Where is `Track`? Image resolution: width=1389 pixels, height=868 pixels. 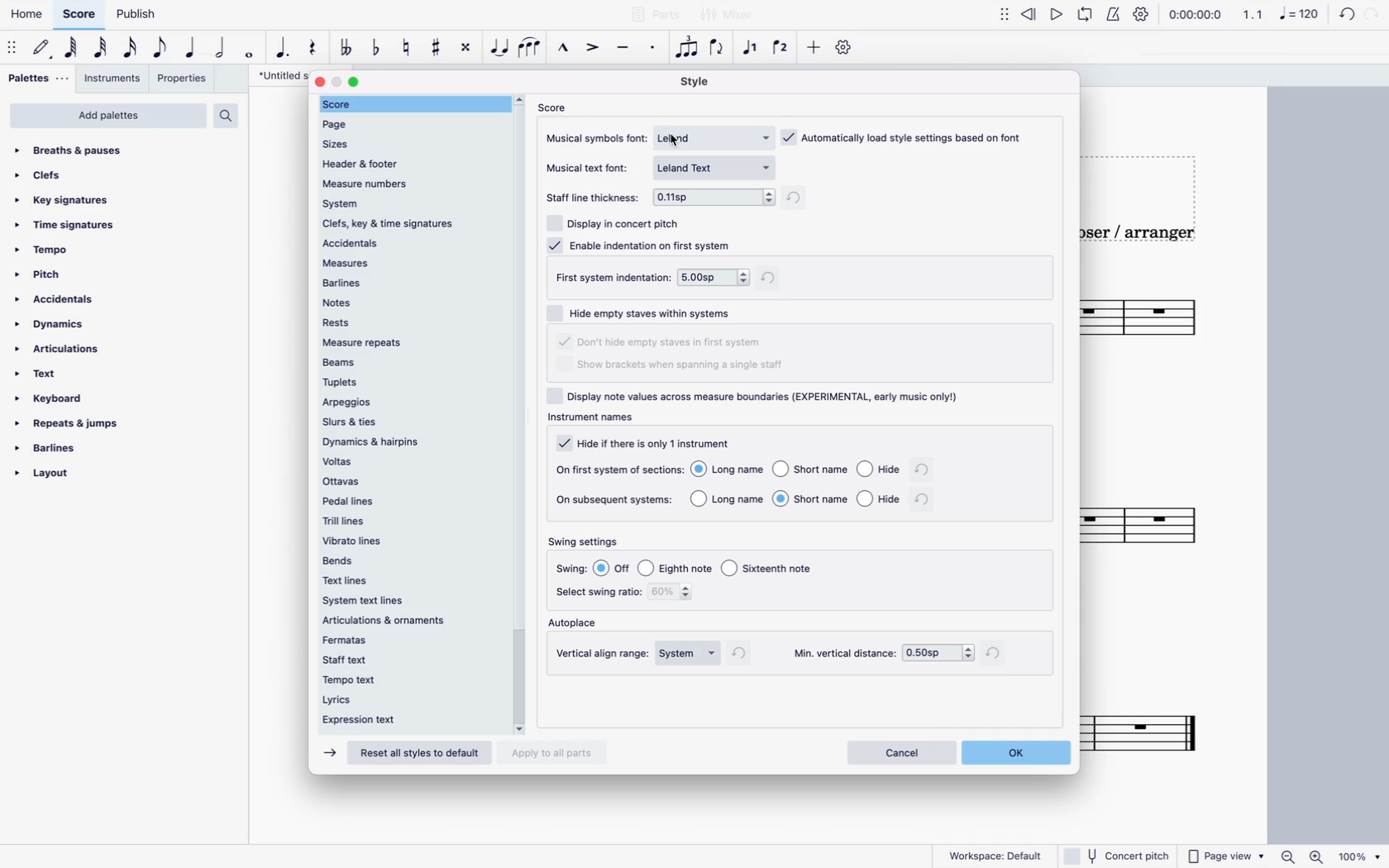
Track is located at coordinates (309, 49).